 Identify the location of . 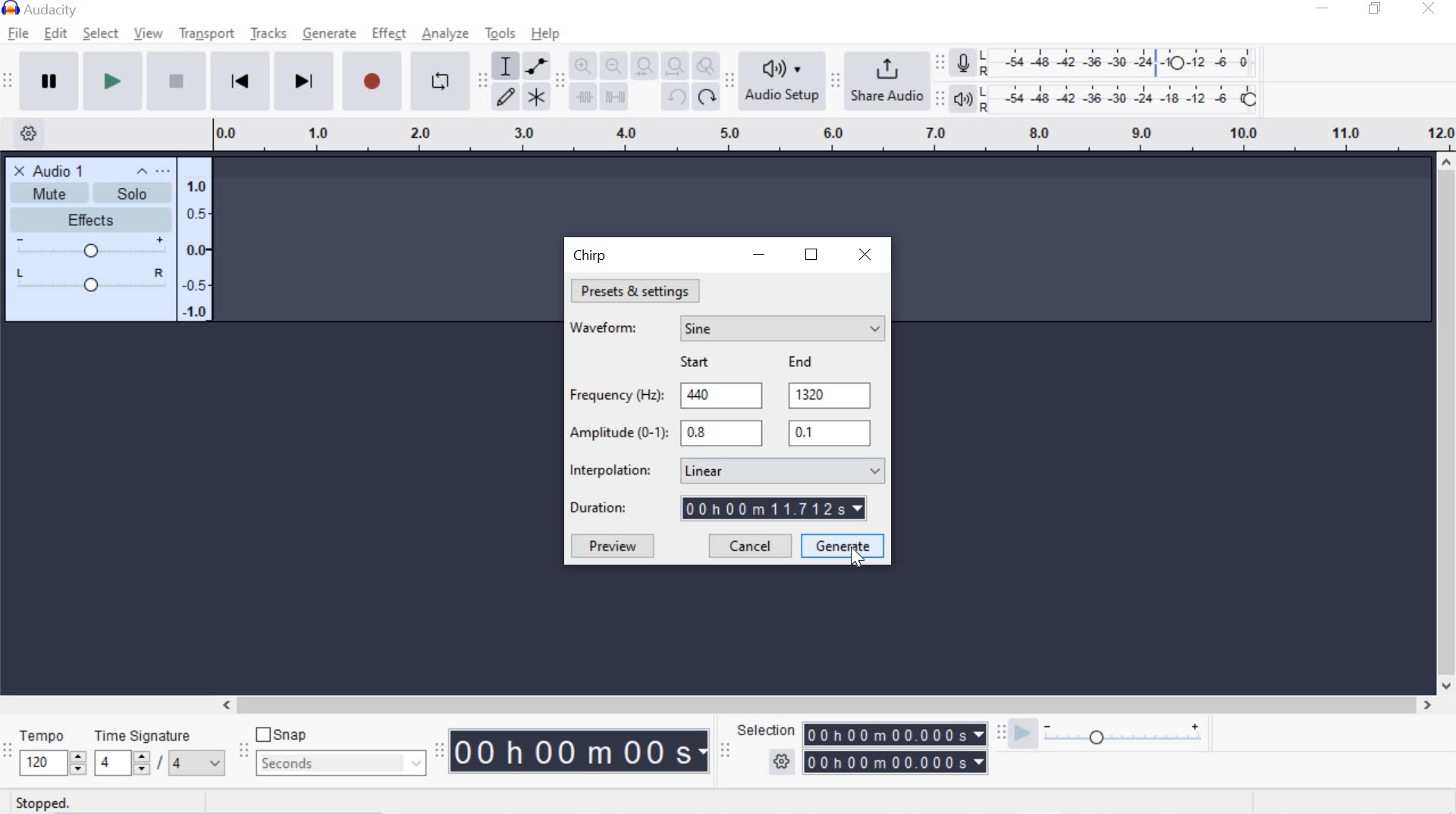
(765, 731).